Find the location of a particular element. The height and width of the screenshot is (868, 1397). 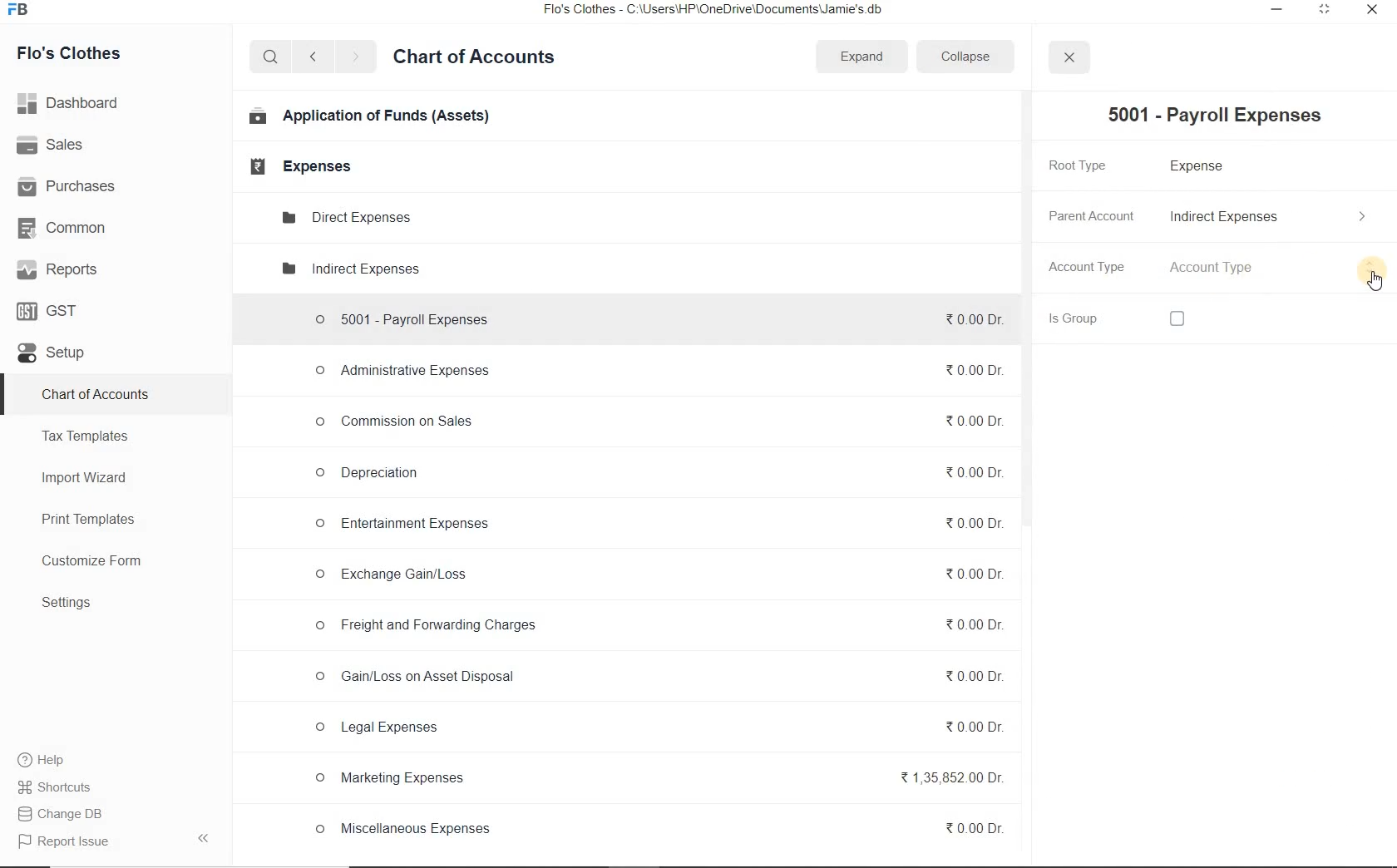

 Help is located at coordinates (51, 760).